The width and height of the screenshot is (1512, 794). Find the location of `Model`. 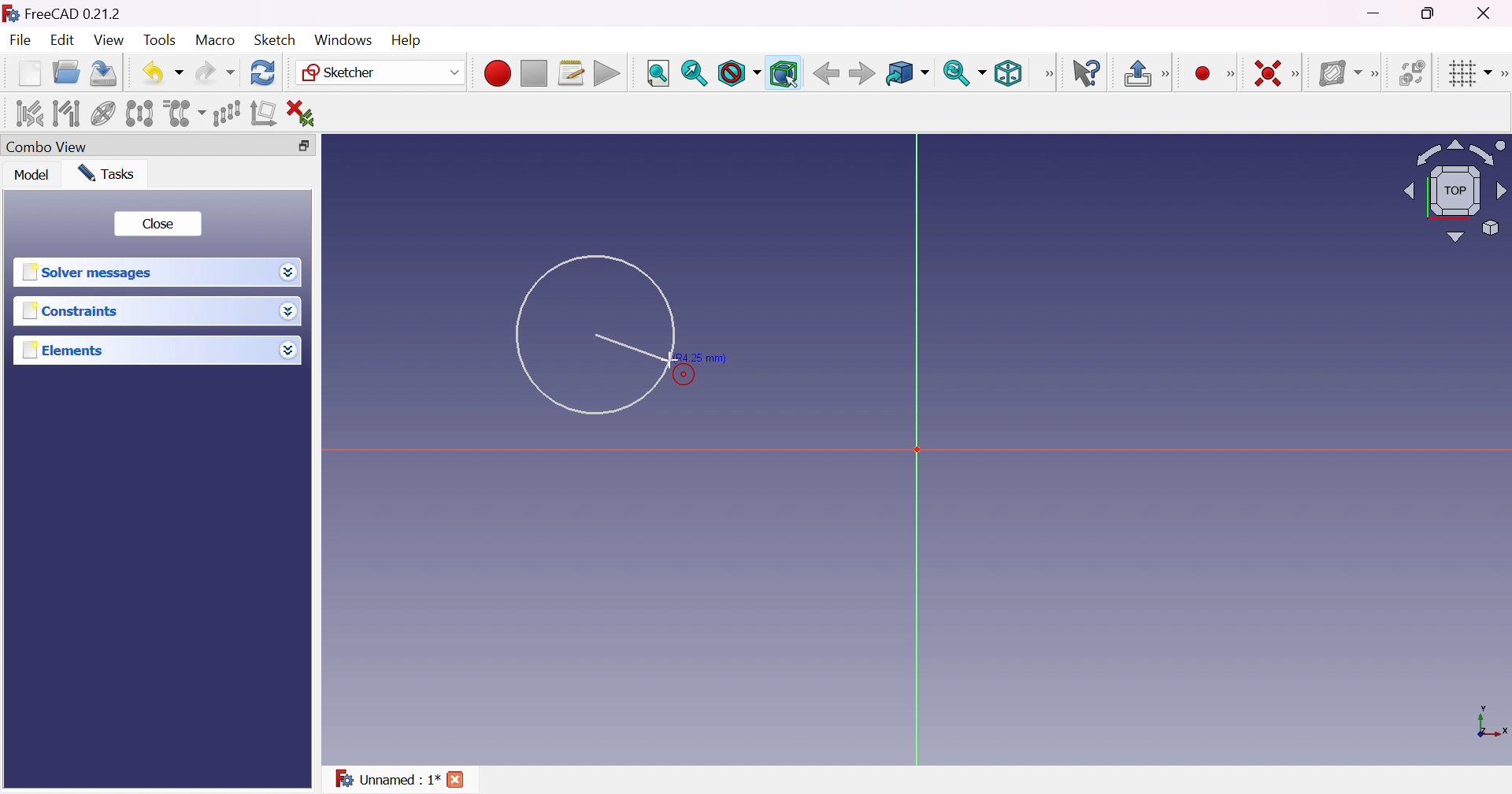

Model is located at coordinates (33, 176).